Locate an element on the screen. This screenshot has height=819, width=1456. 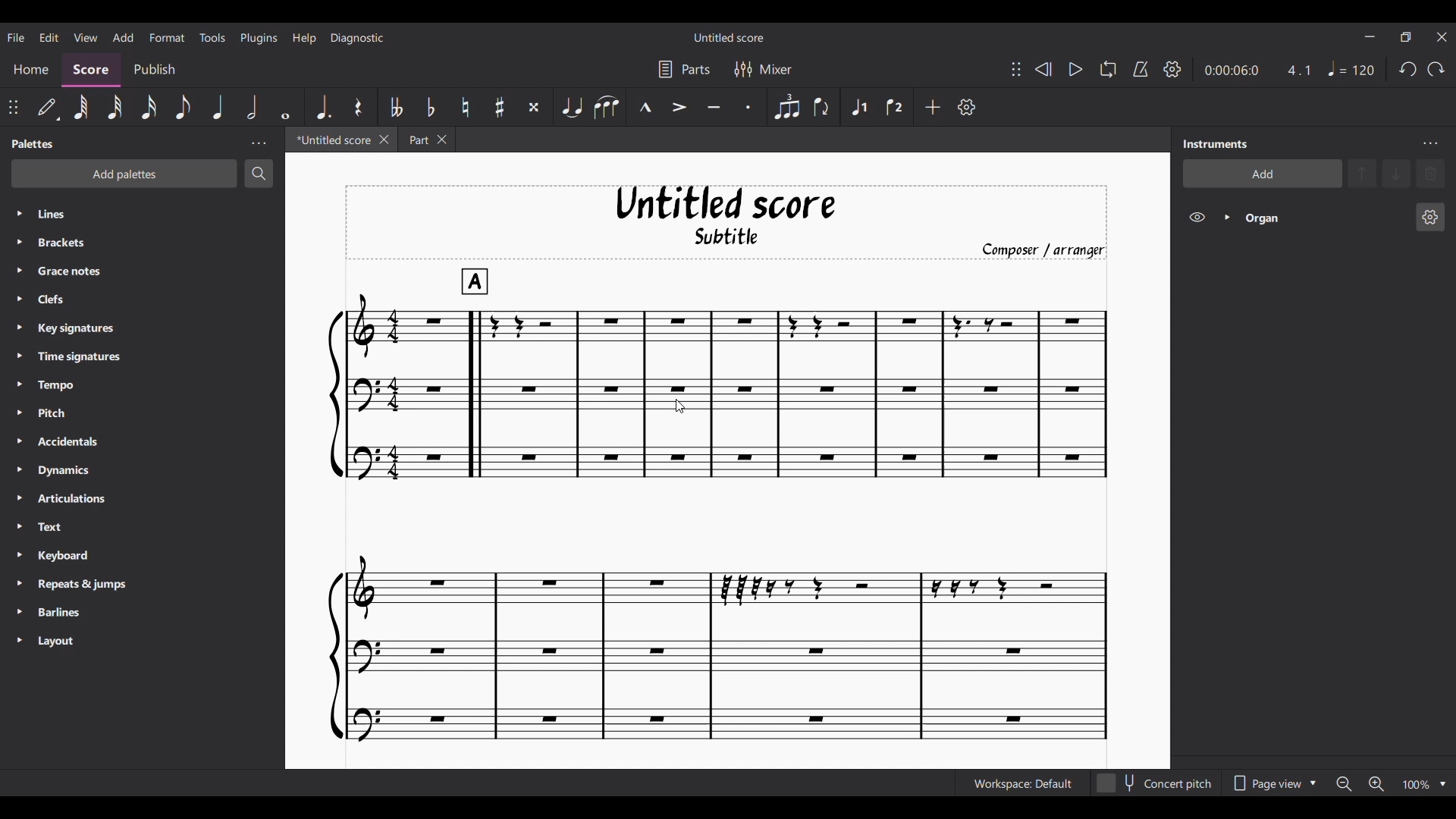
Augmentation dot is located at coordinates (323, 107).